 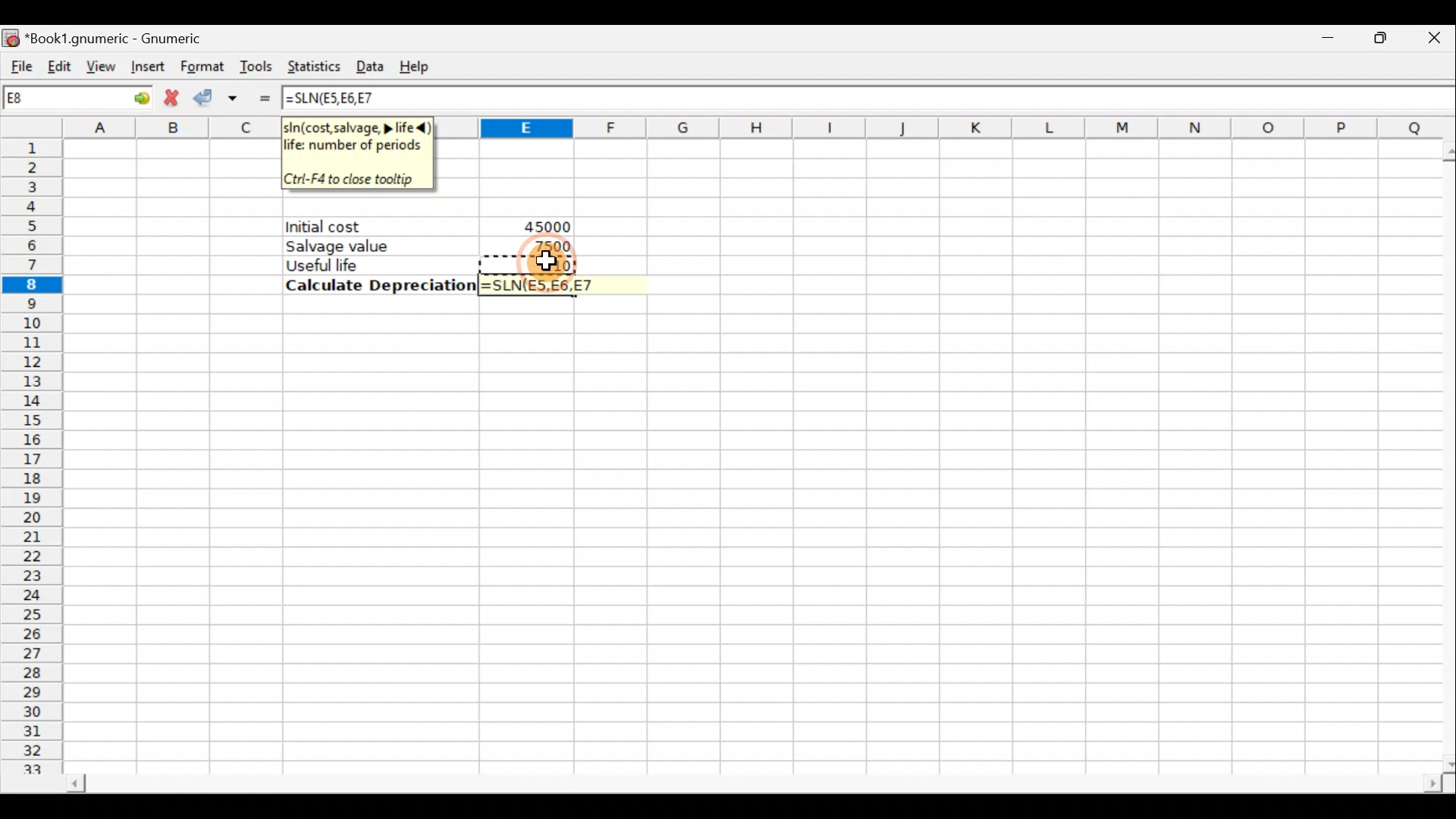 I want to click on Format, so click(x=200, y=64).